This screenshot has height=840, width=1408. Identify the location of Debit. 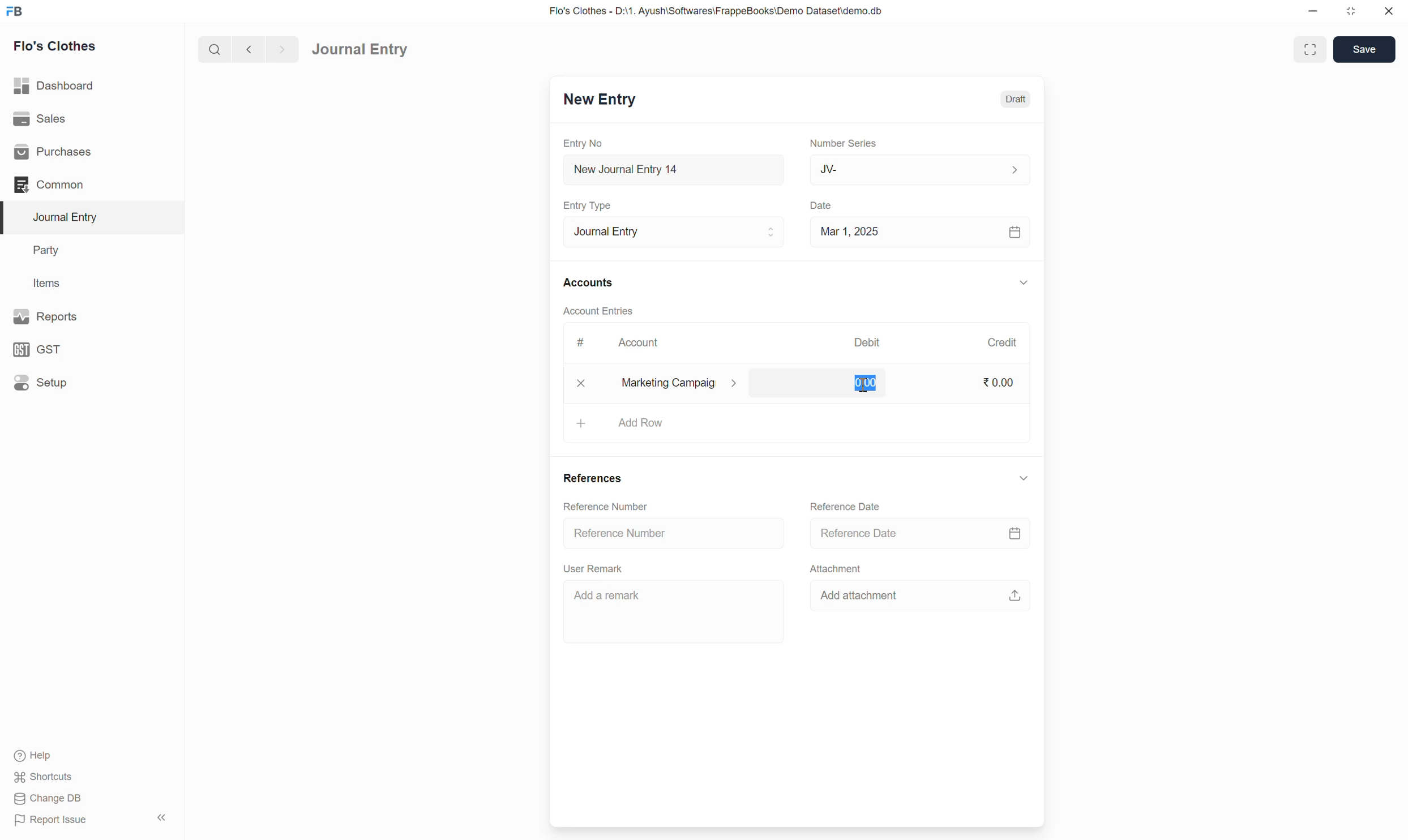
(867, 341).